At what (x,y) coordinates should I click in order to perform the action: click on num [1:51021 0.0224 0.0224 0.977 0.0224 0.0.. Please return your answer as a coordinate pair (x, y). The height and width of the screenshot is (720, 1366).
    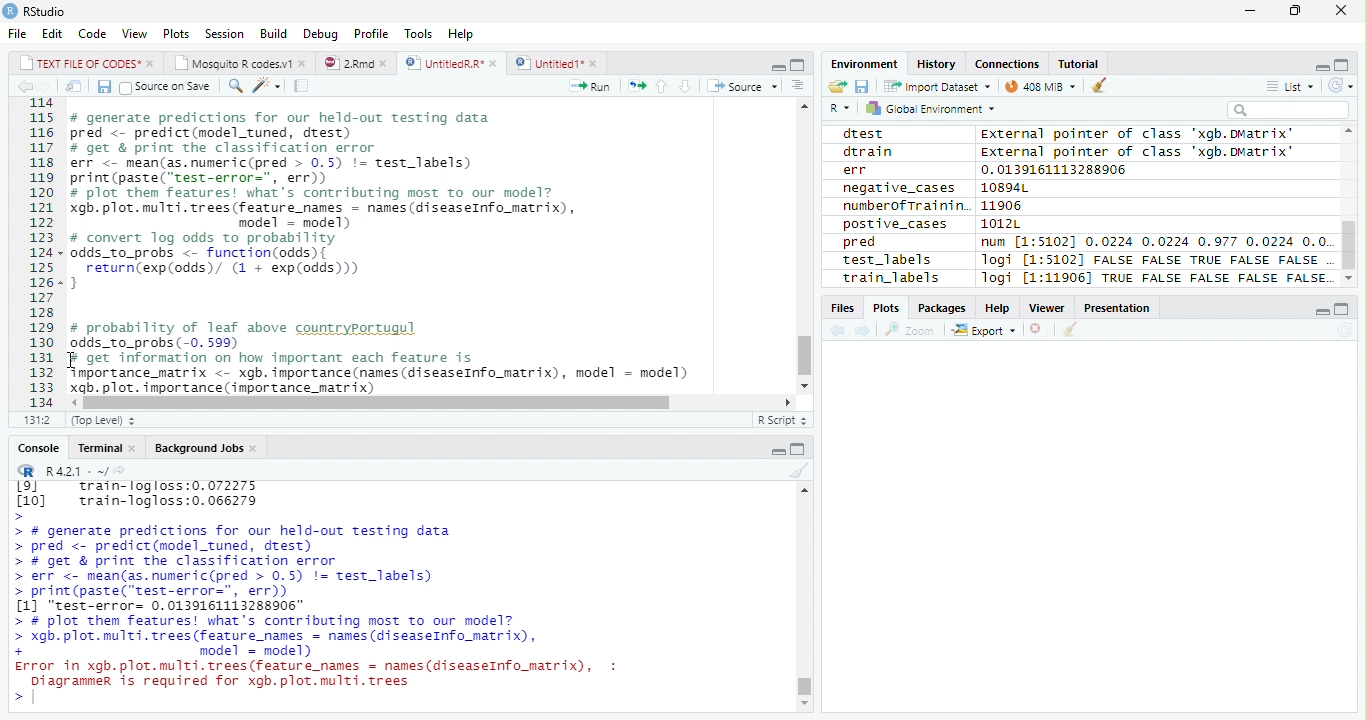
    Looking at the image, I should click on (1155, 240).